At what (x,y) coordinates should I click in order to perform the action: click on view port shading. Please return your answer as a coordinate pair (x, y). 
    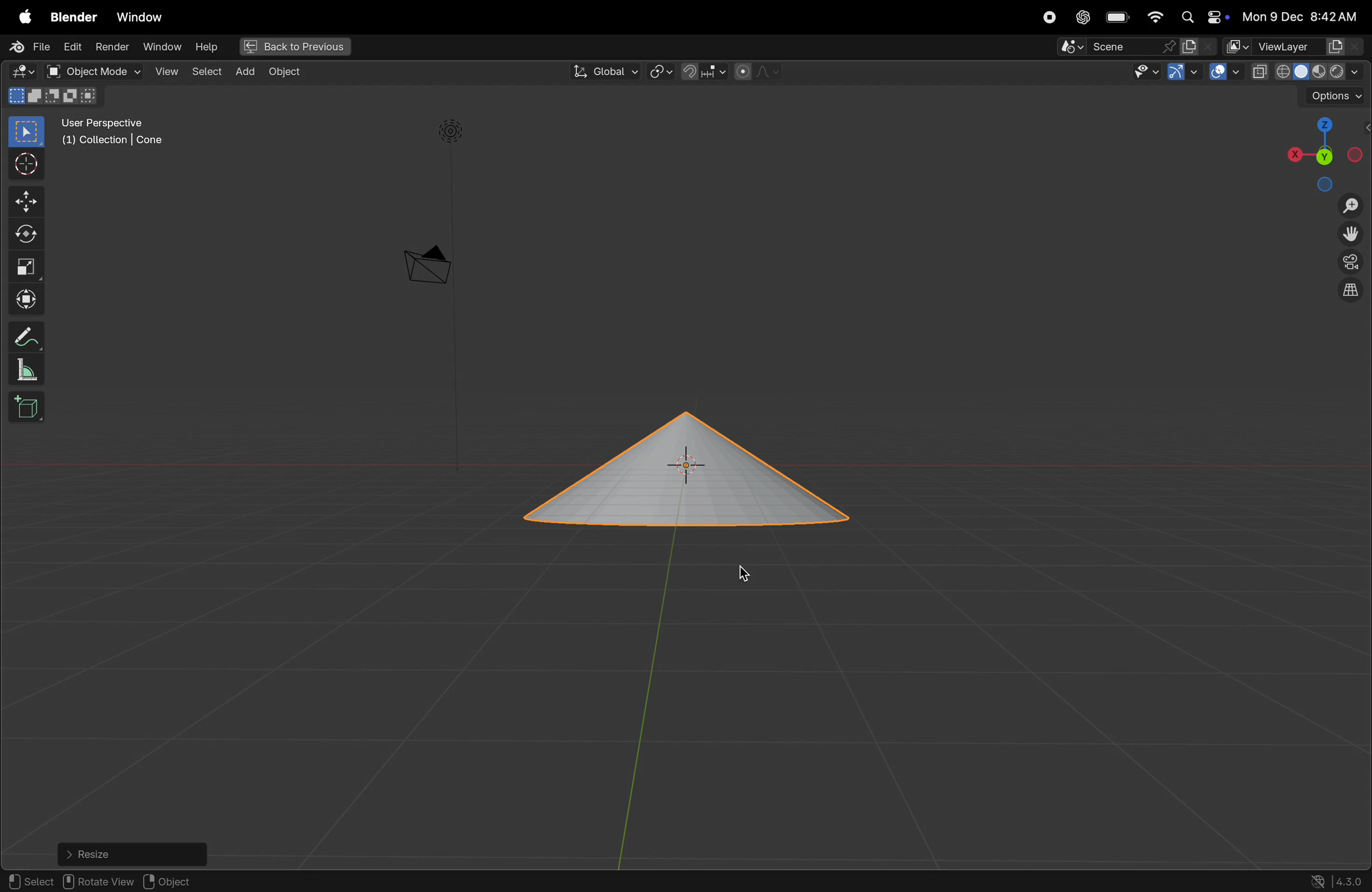
    Looking at the image, I should click on (1311, 70).